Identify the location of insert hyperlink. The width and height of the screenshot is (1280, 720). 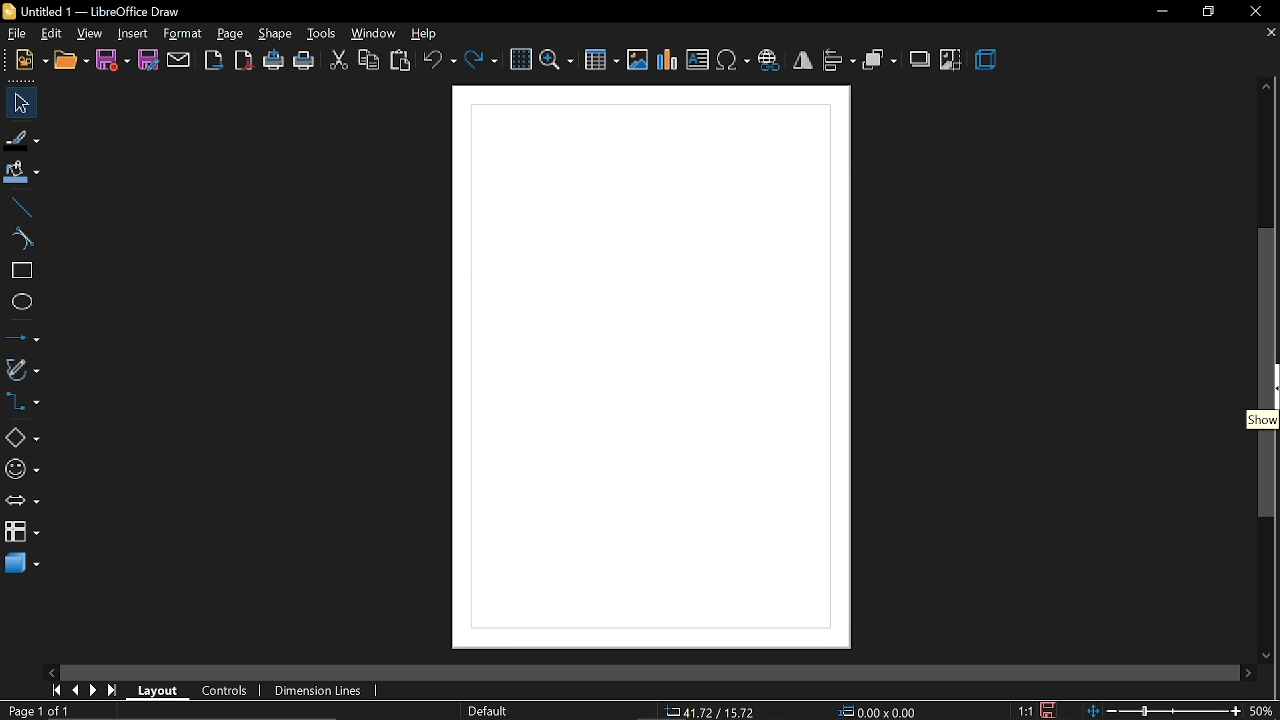
(770, 61).